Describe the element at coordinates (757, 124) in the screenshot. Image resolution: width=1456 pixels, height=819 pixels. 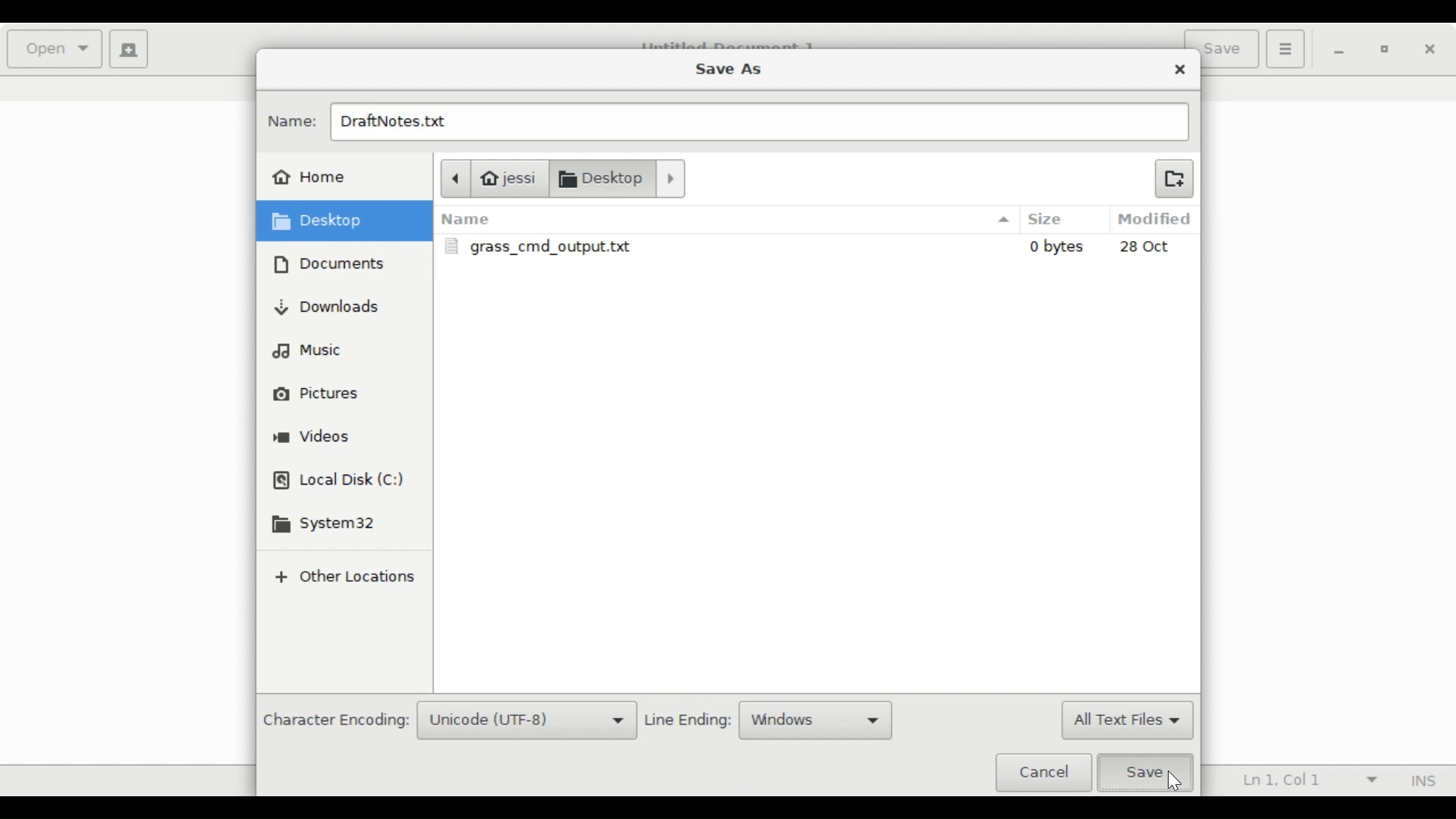
I see `DraftNotes.txt` at that location.